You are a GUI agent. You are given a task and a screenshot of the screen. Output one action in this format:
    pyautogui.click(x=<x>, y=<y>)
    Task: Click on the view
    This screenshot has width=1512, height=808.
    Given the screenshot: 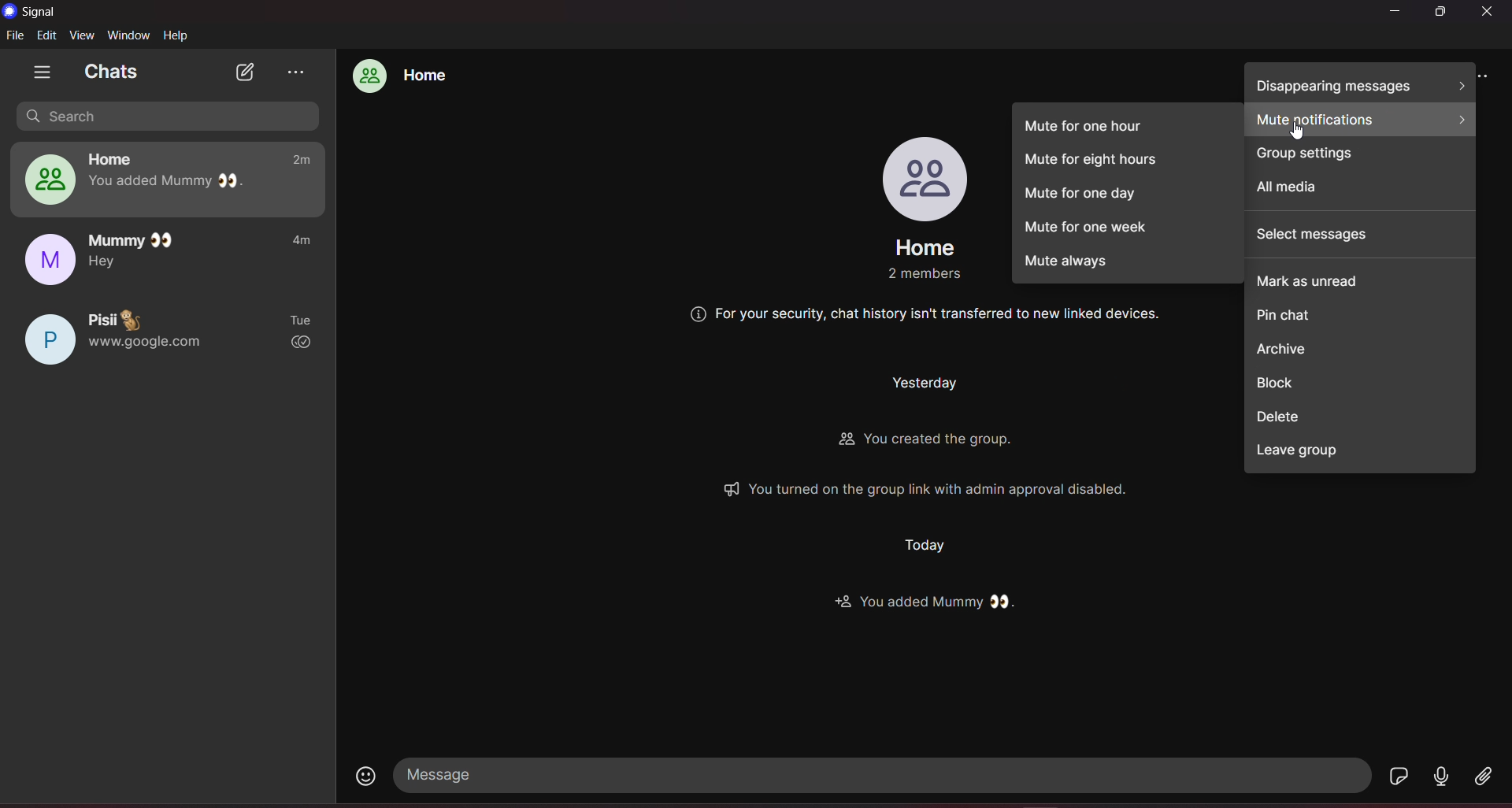 What is the action you would take?
    pyautogui.click(x=82, y=34)
    